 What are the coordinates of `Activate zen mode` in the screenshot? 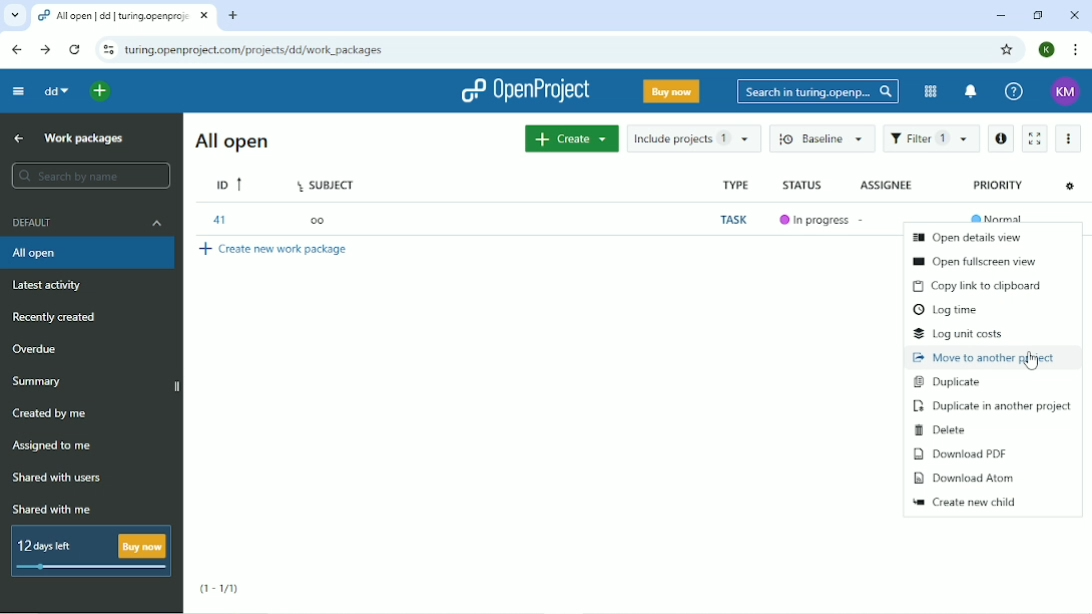 It's located at (1037, 138).